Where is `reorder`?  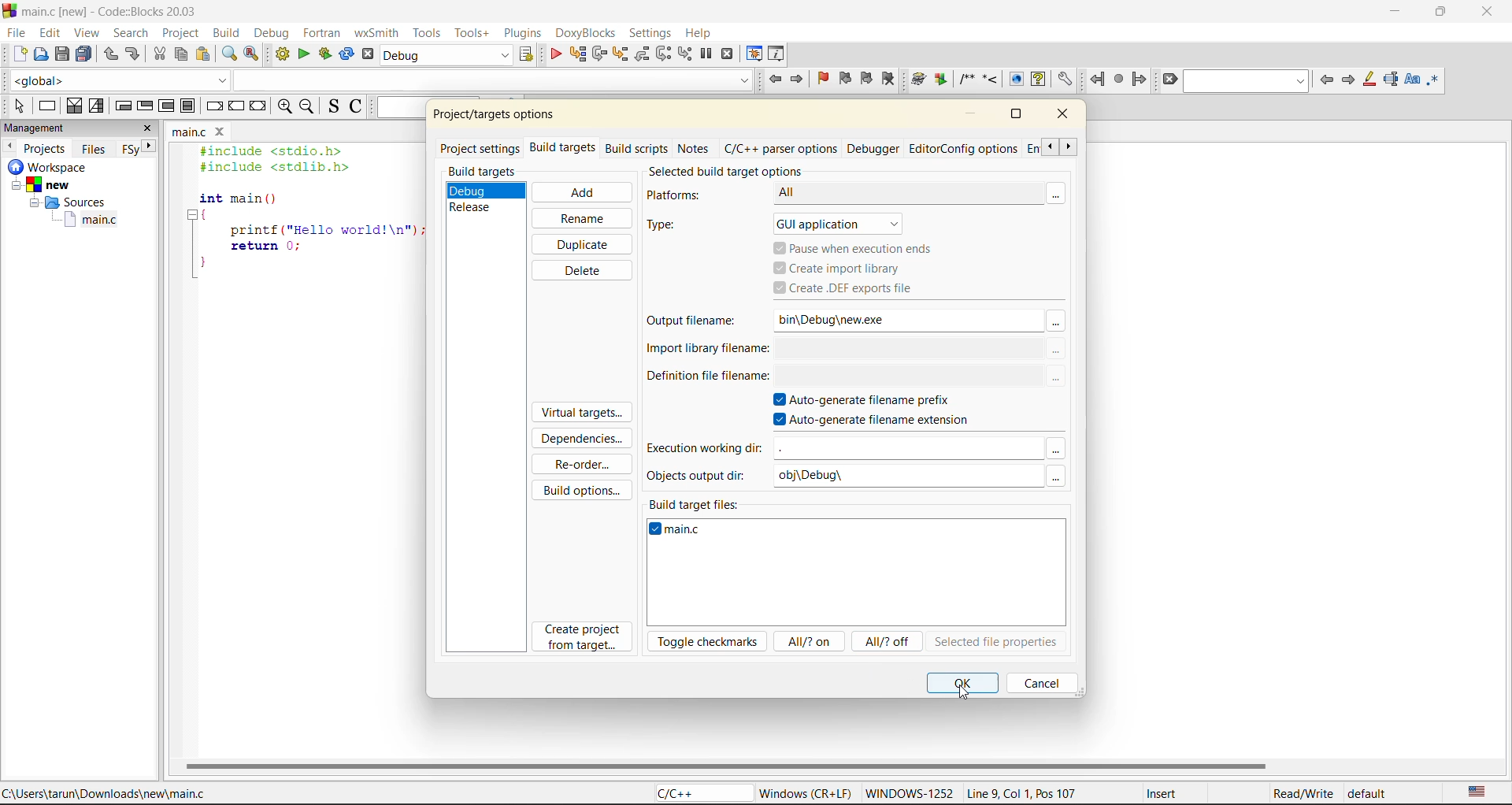 reorder is located at coordinates (580, 465).